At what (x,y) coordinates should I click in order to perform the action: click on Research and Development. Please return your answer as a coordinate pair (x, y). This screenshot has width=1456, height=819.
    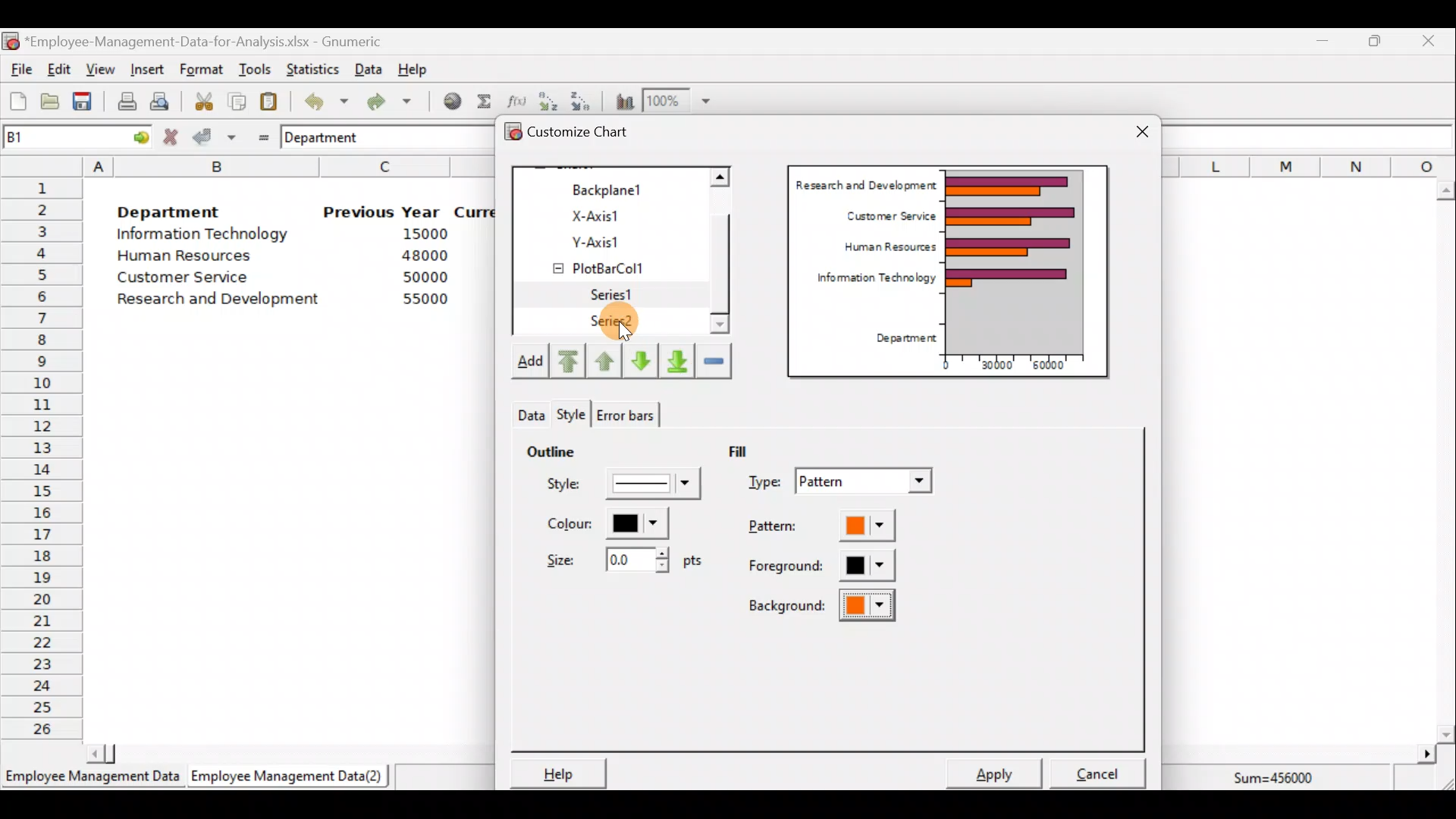
    Looking at the image, I should click on (865, 183).